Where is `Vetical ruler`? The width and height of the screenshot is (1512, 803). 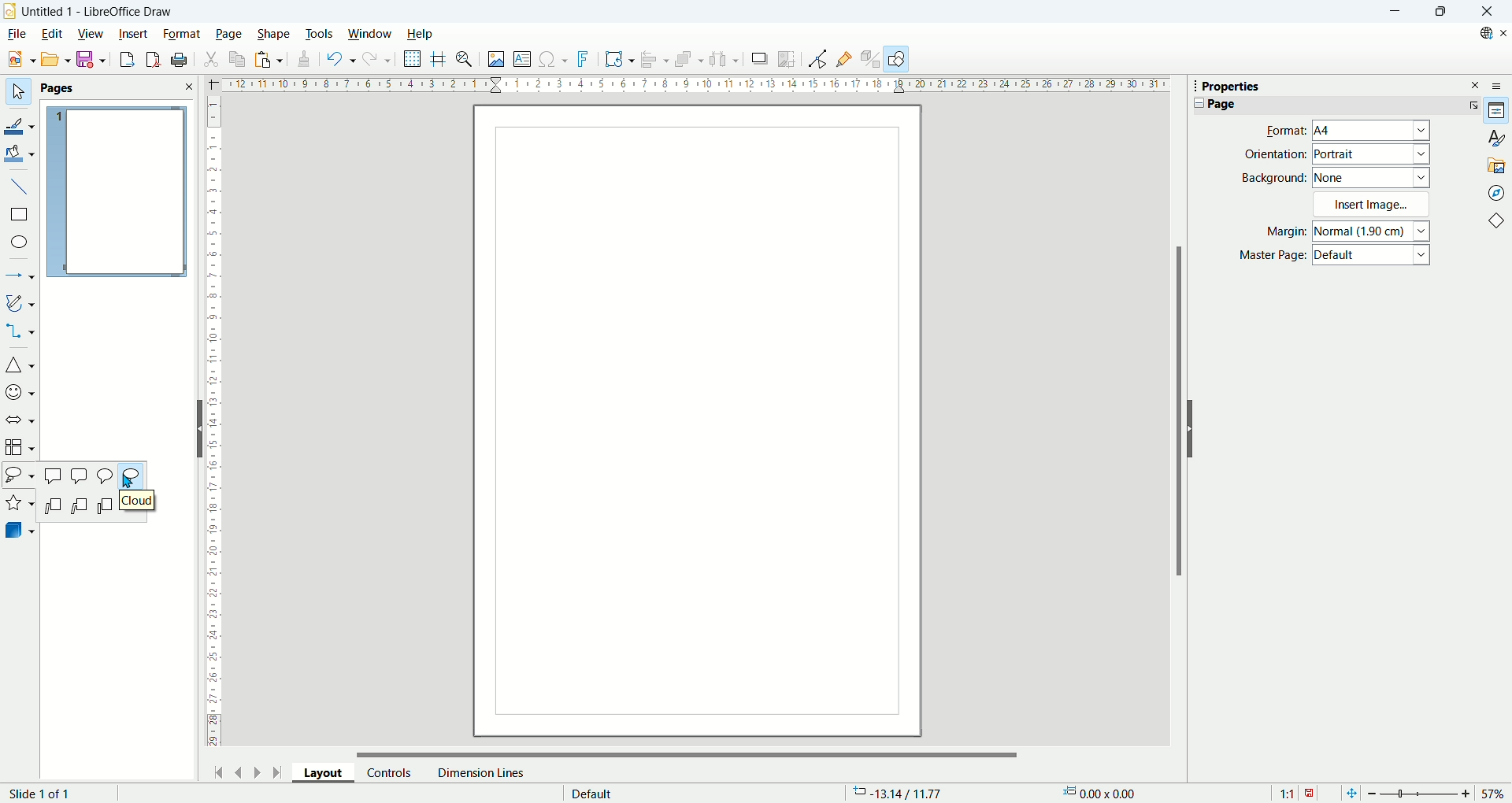
Vetical ruler is located at coordinates (214, 421).